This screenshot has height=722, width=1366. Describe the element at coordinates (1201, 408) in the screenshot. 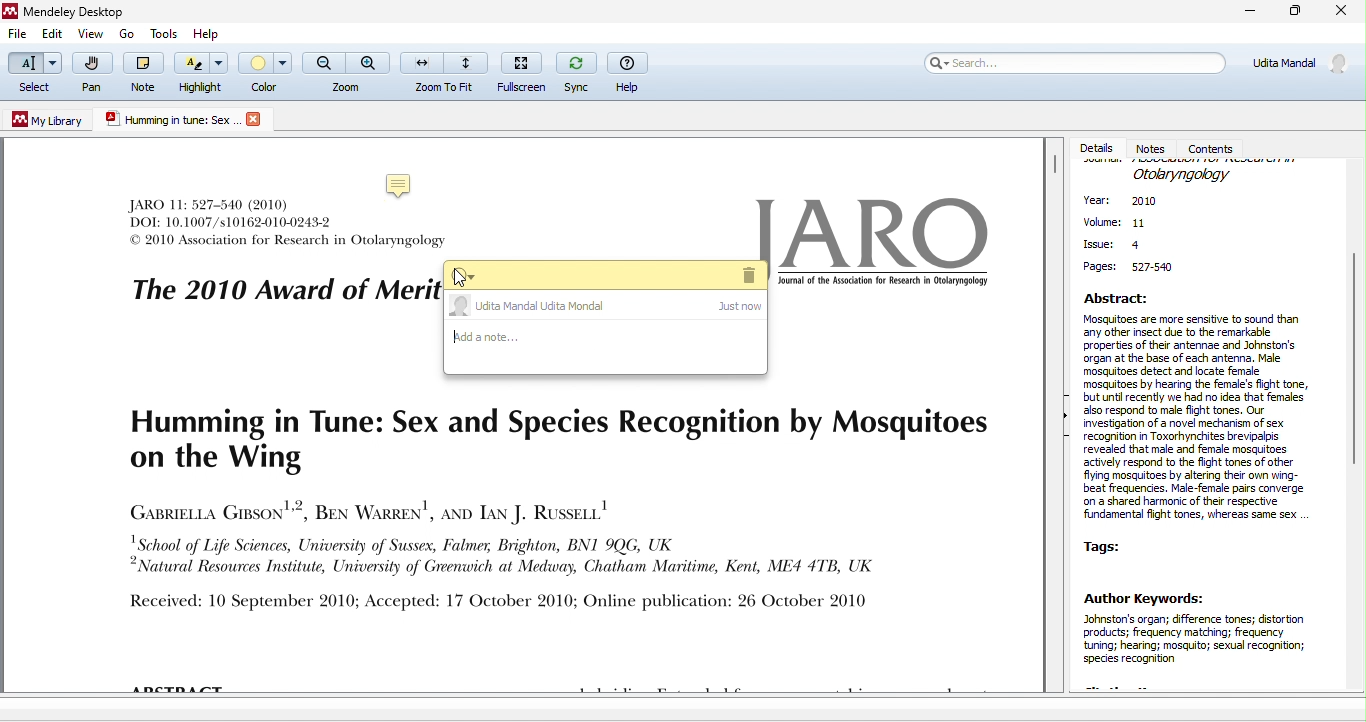

I see `abstract` at that location.